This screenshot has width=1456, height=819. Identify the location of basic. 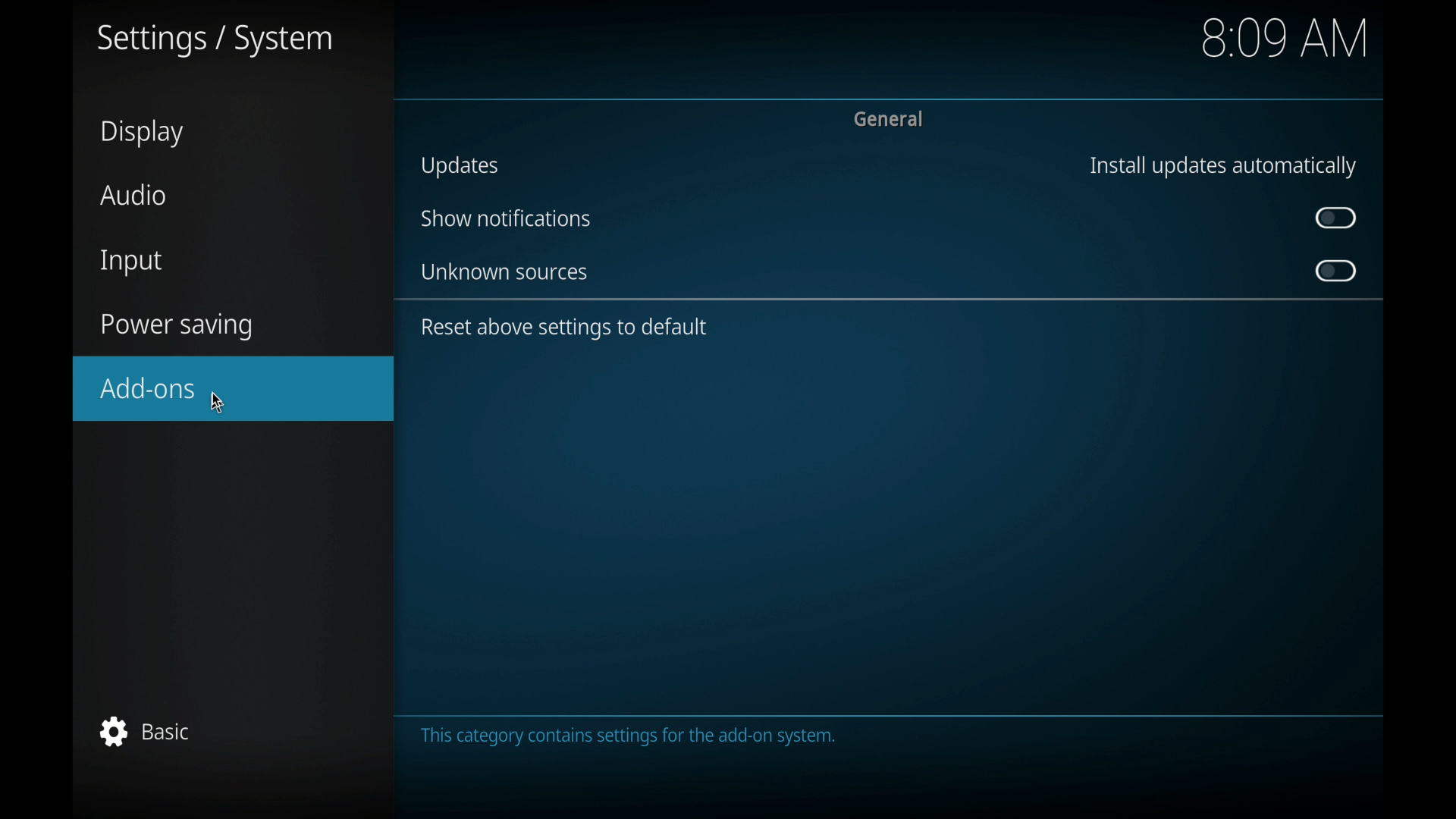
(146, 731).